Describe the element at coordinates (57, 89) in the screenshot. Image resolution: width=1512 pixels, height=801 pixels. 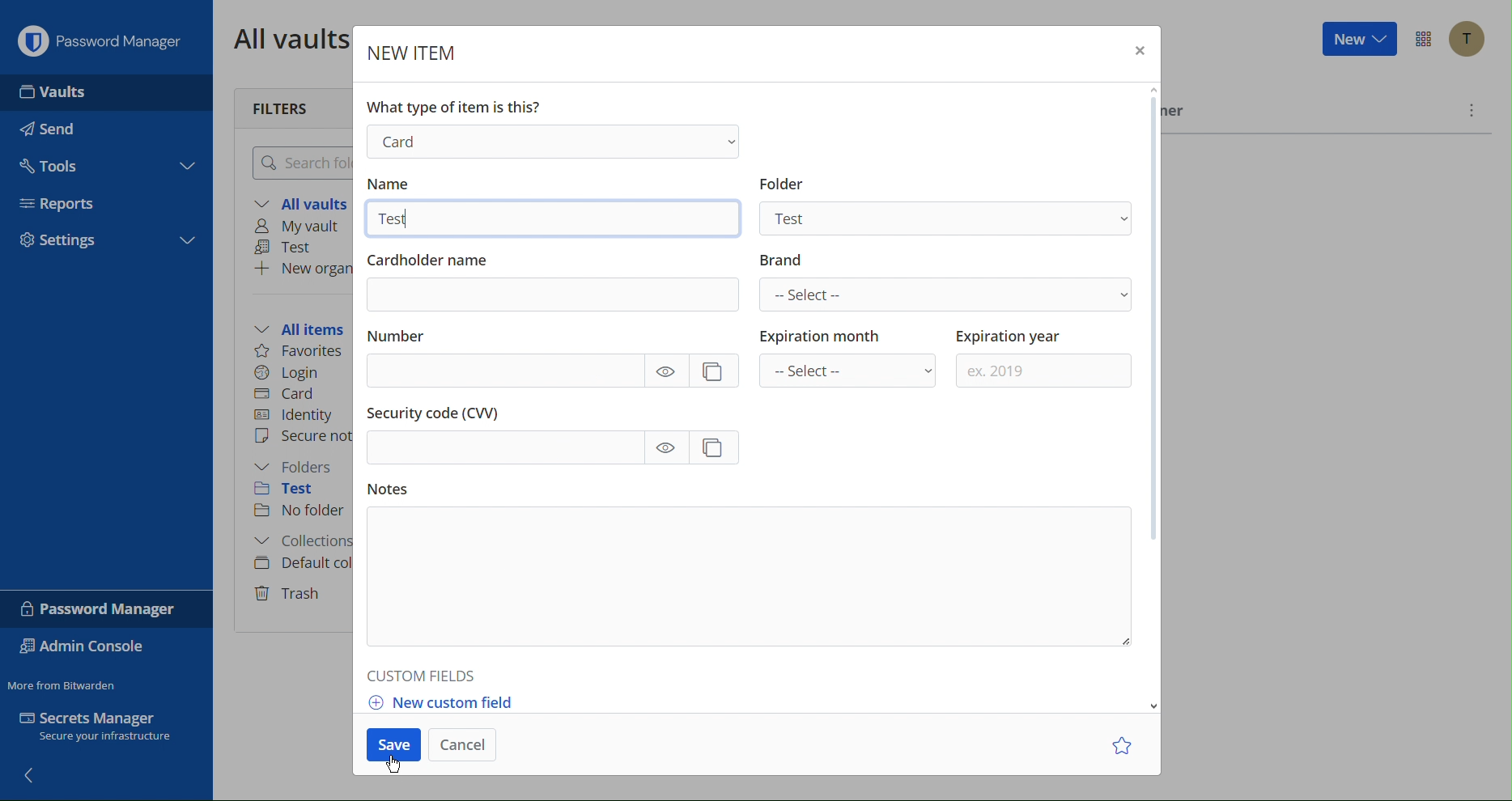
I see `Vaults` at that location.